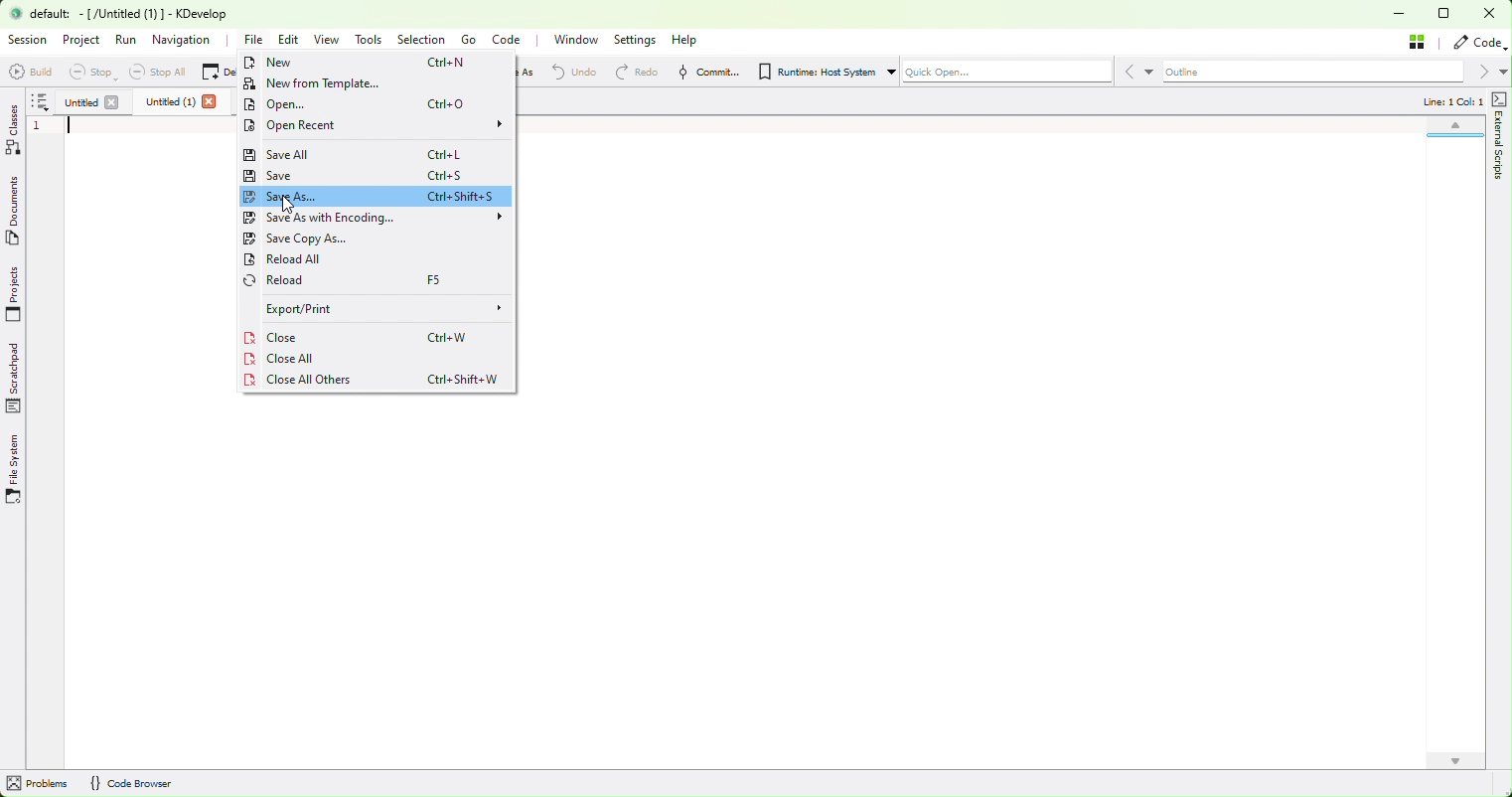 The width and height of the screenshot is (1512, 797). I want to click on Ctrl+Shift+W, so click(463, 380).